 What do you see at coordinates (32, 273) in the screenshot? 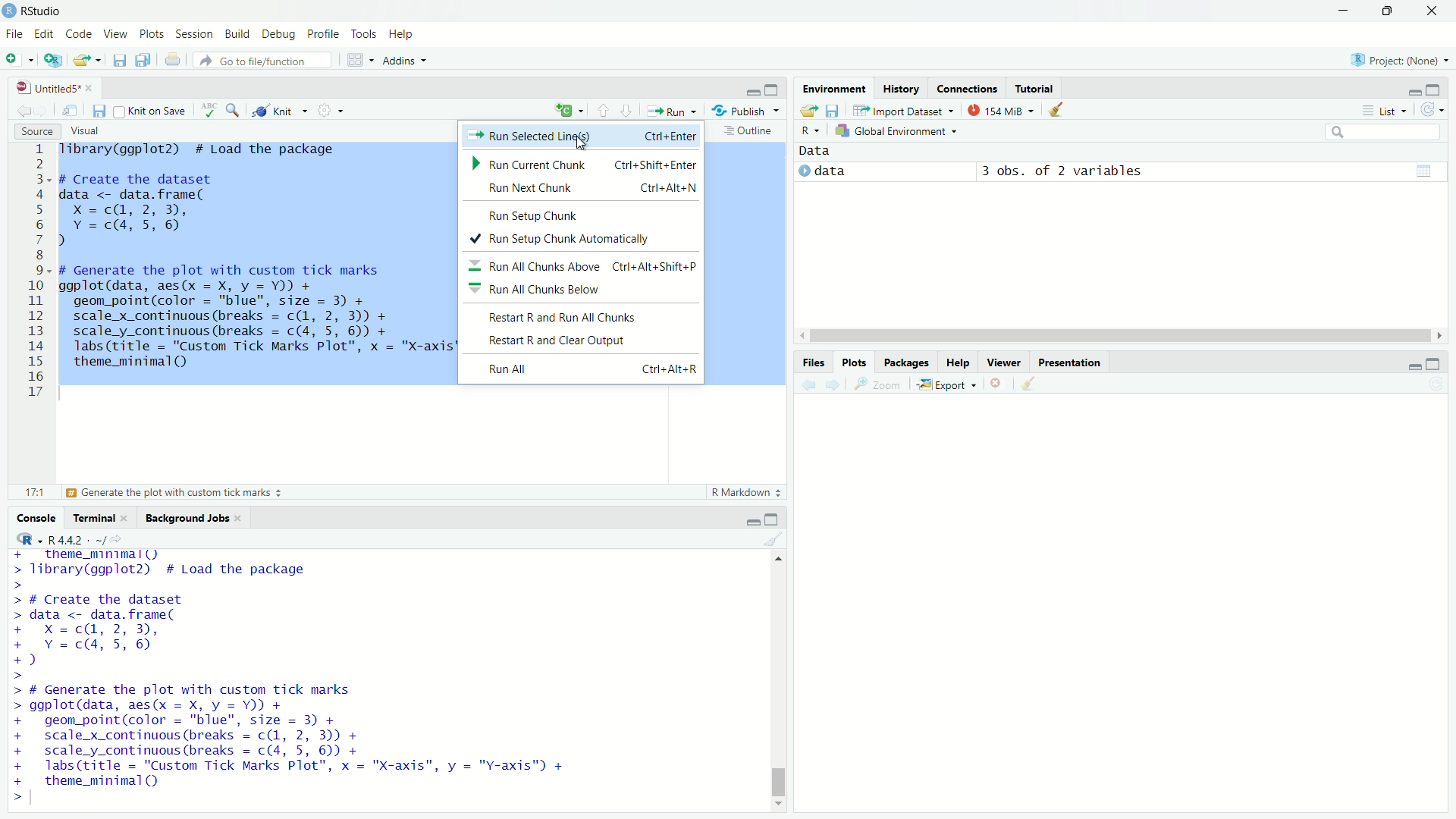
I see `` at bounding box center [32, 273].